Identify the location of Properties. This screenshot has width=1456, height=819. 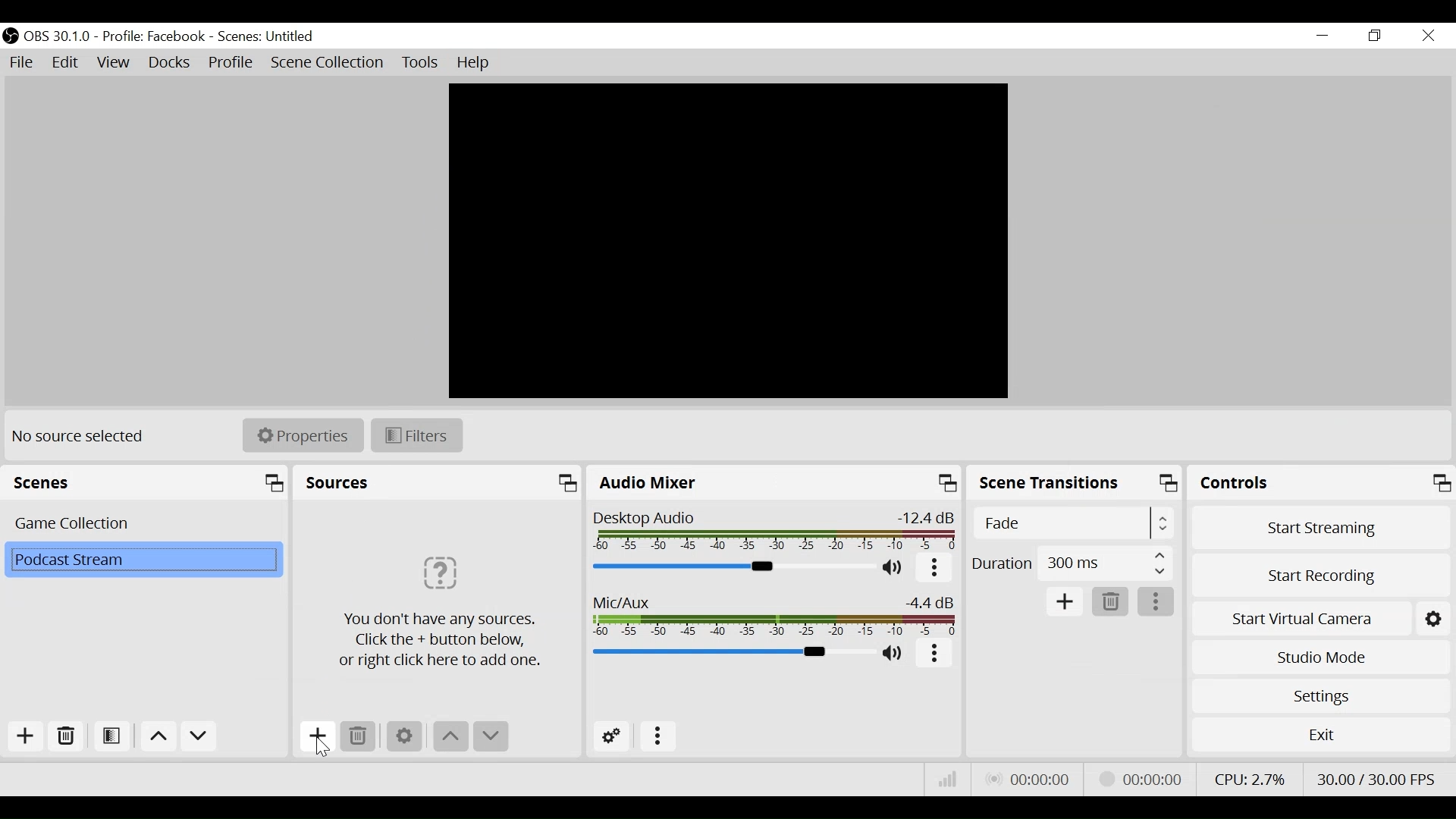
(303, 436).